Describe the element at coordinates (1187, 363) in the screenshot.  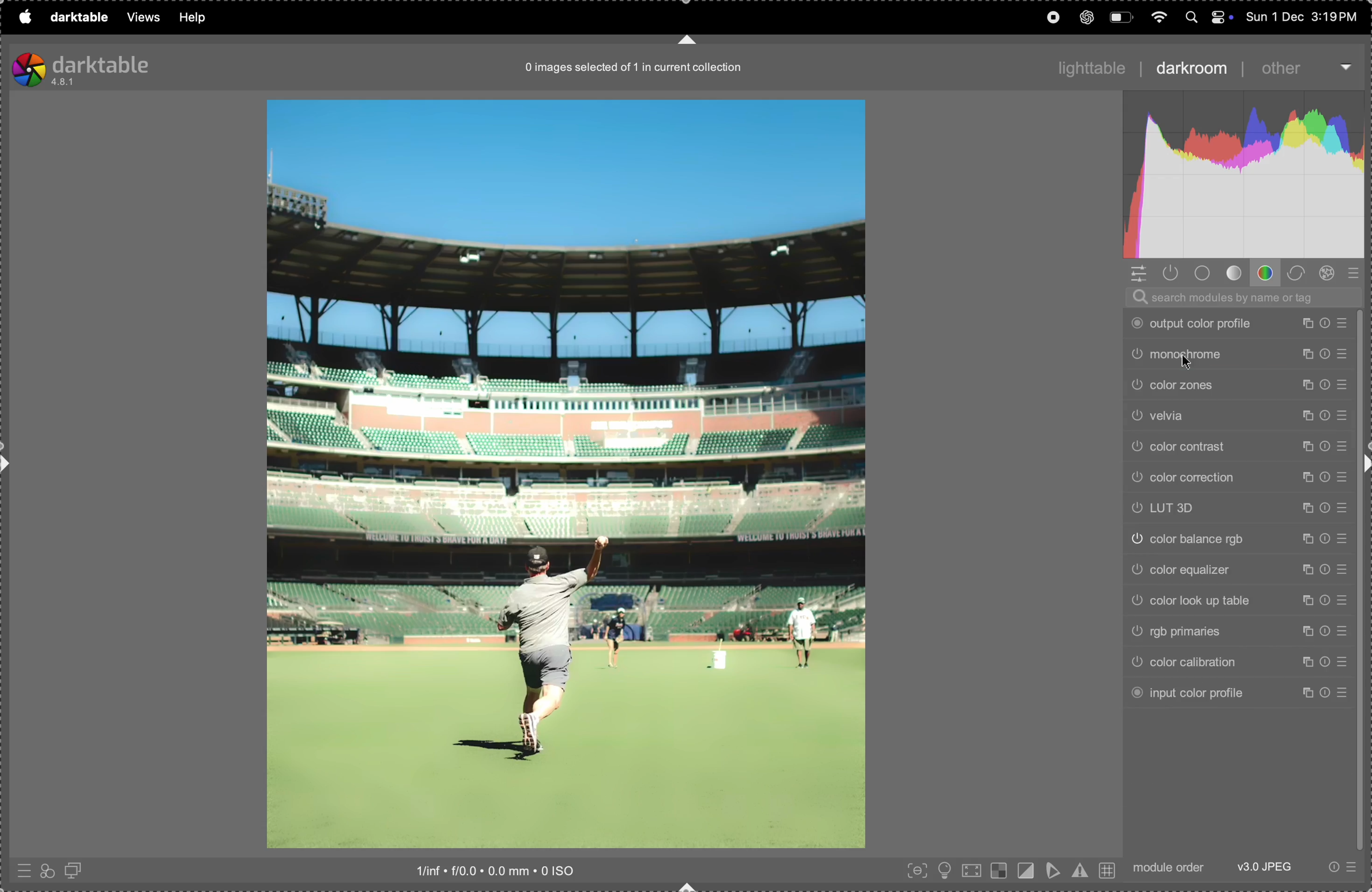
I see `Cursor on monochrome` at that location.